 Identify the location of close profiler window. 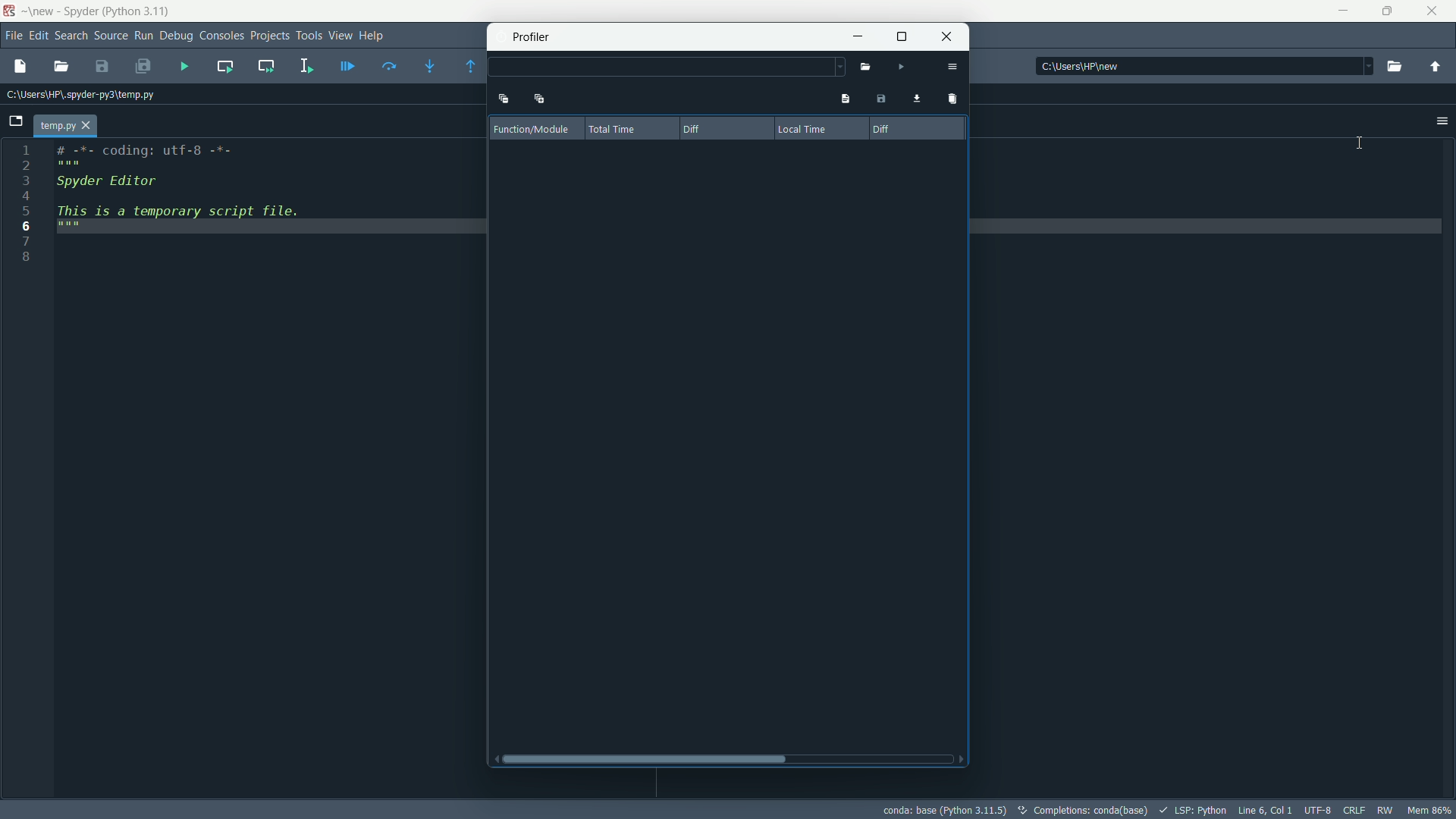
(947, 37).